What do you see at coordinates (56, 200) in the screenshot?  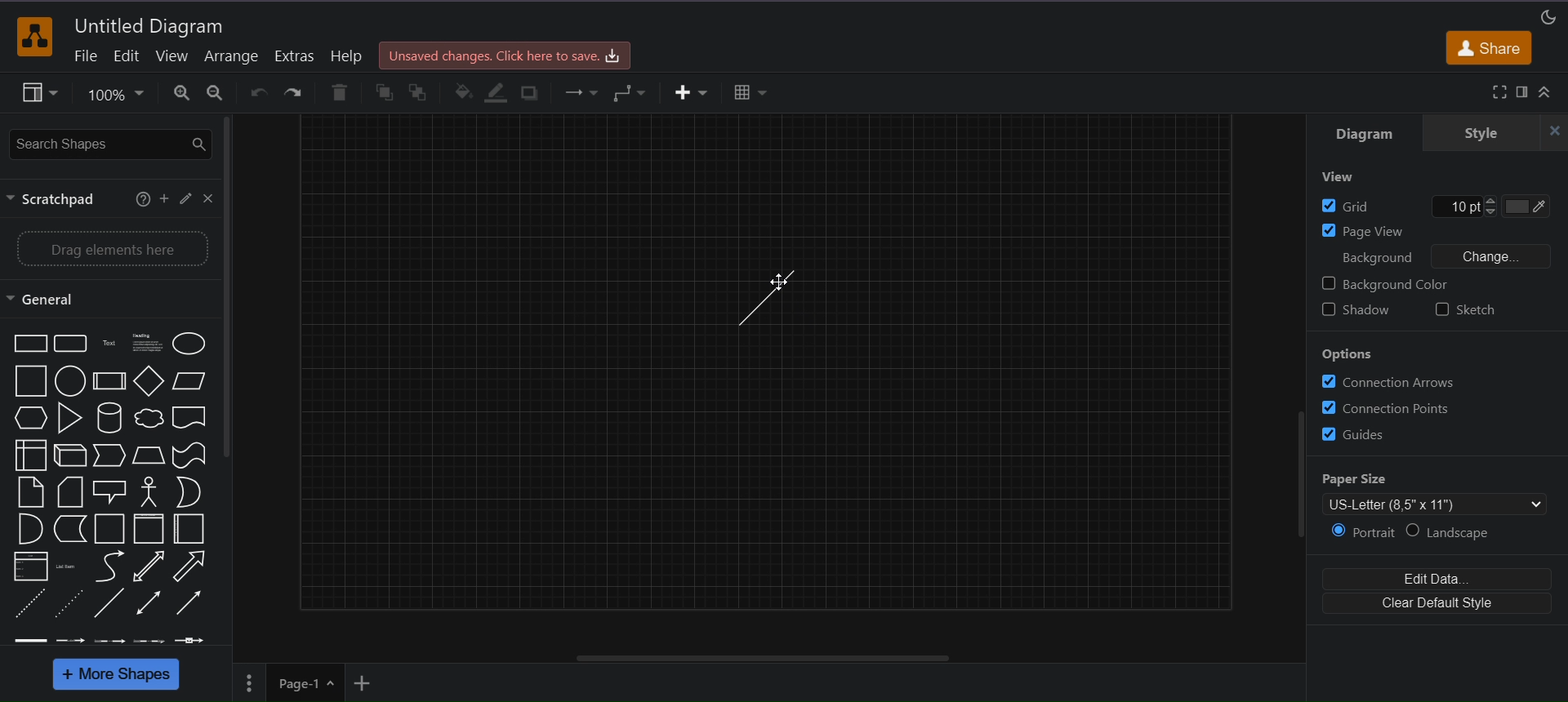 I see `scratchpad` at bounding box center [56, 200].